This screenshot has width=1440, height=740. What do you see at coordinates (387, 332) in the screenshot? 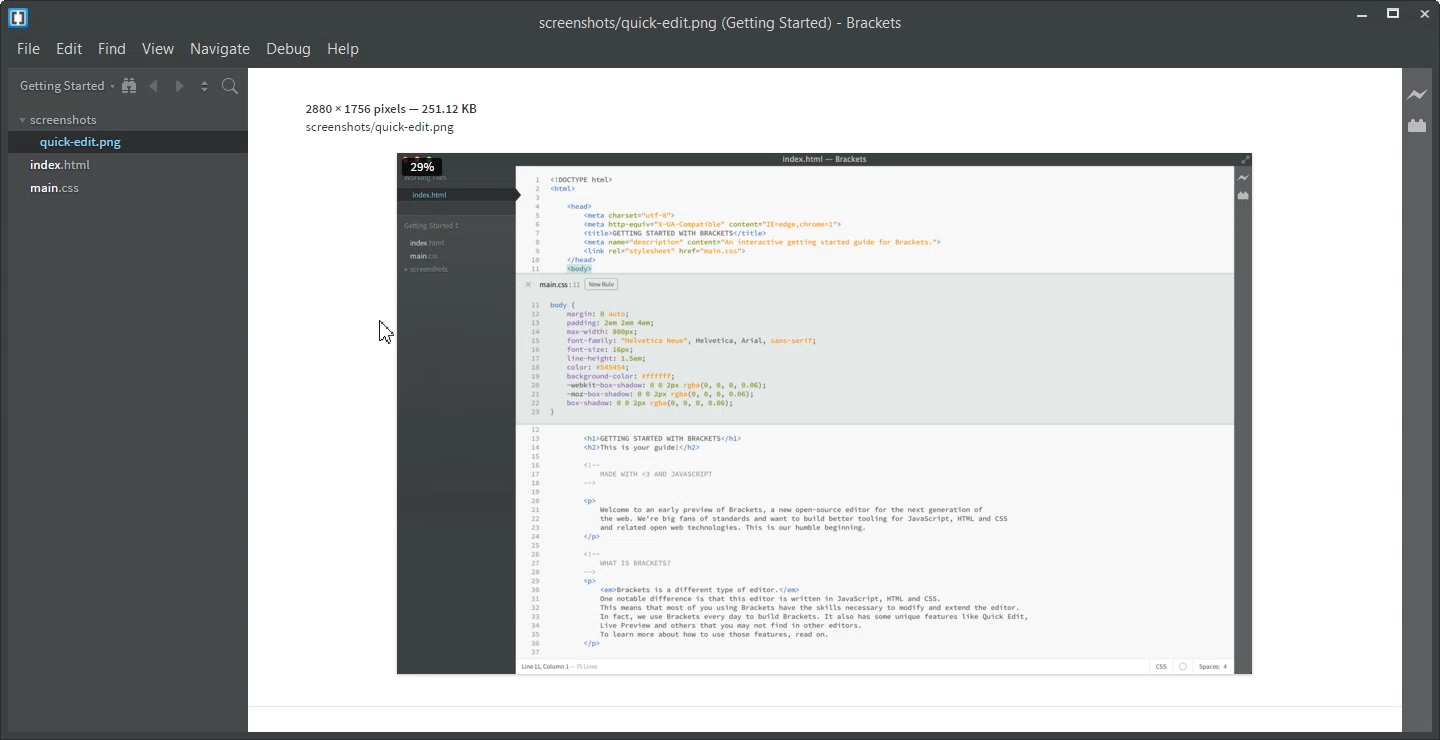
I see `Cursor` at bounding box center [387, 332].